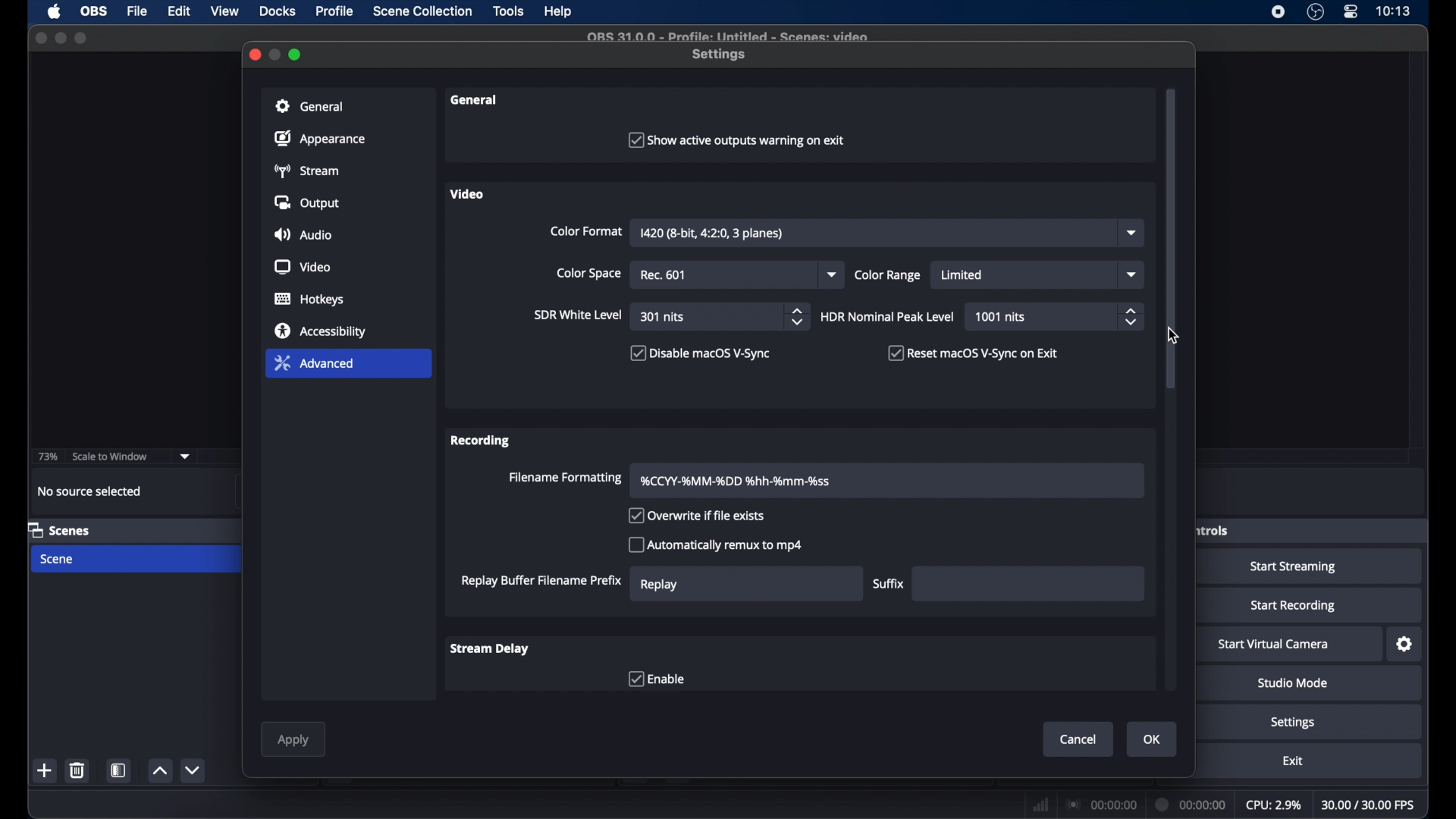 Image resolution: width=1456 pixels, height=819 pixels. Describe the element at coordinates (715, 544) in the screenshot. I see `checkbox` at that location.